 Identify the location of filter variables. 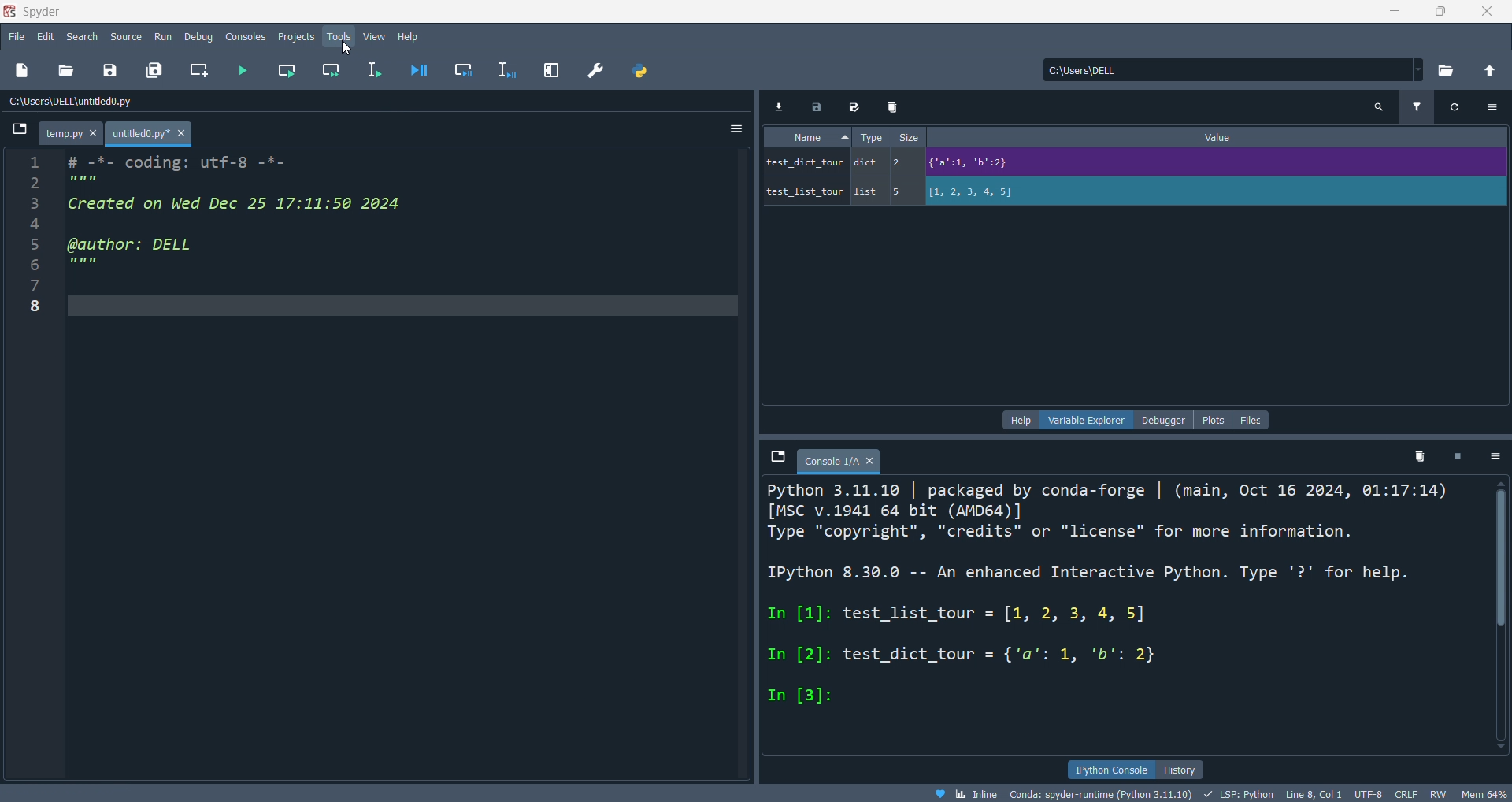
(1417, 109).